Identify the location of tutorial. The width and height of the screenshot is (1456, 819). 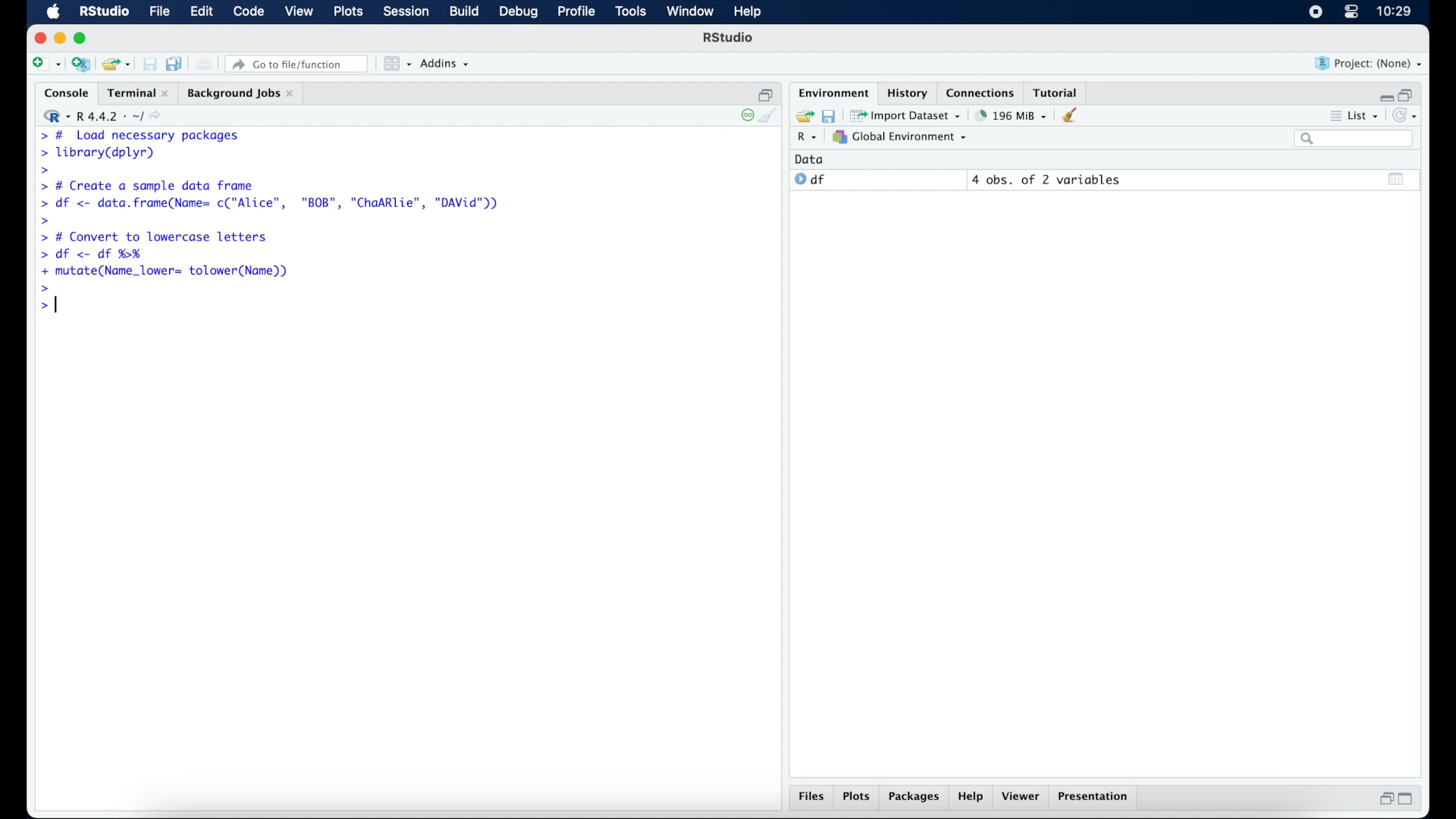
(1059, 92).